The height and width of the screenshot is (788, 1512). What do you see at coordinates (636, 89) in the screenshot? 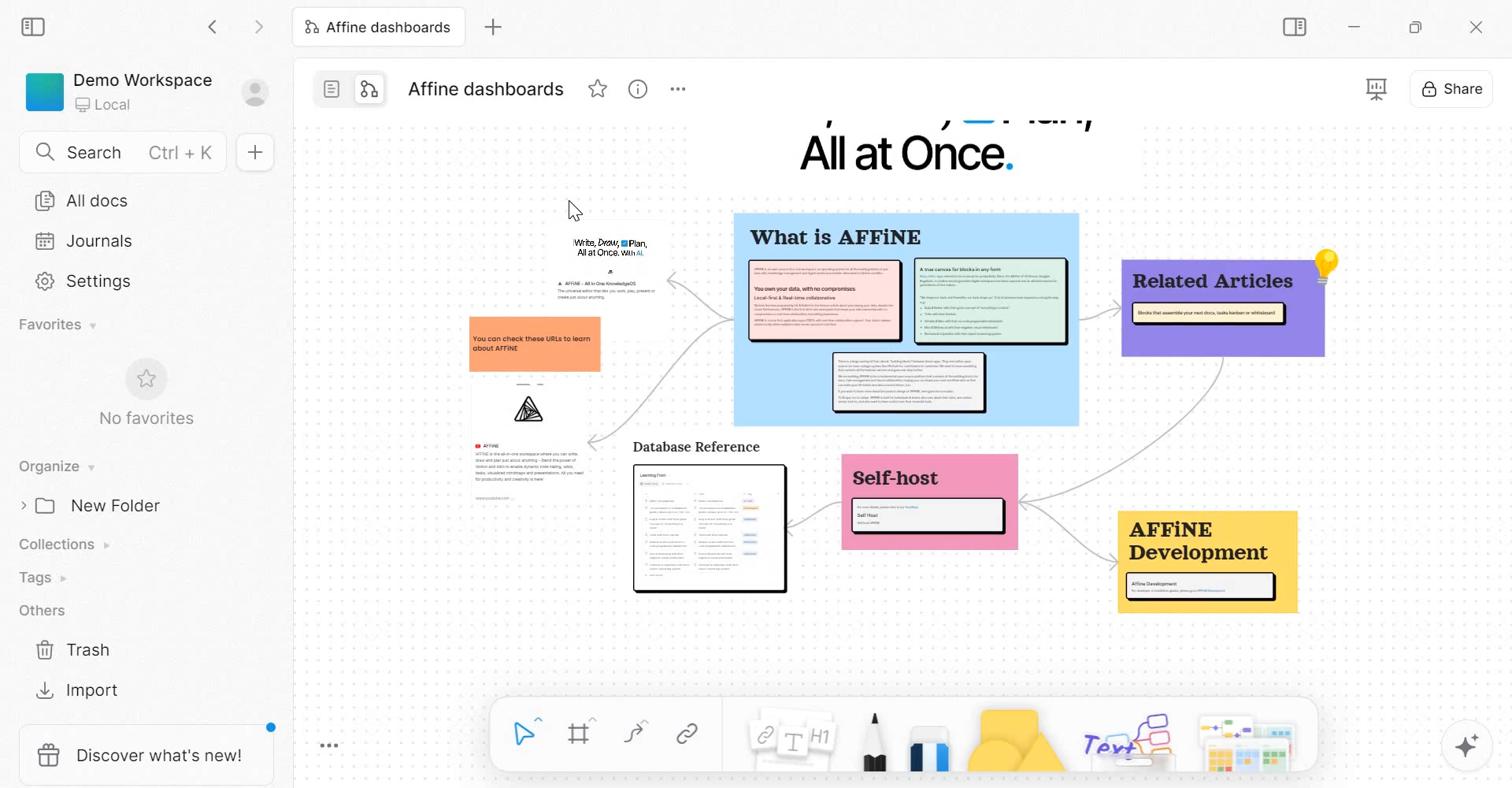
I see `view information` at bounding box center [636, 89].